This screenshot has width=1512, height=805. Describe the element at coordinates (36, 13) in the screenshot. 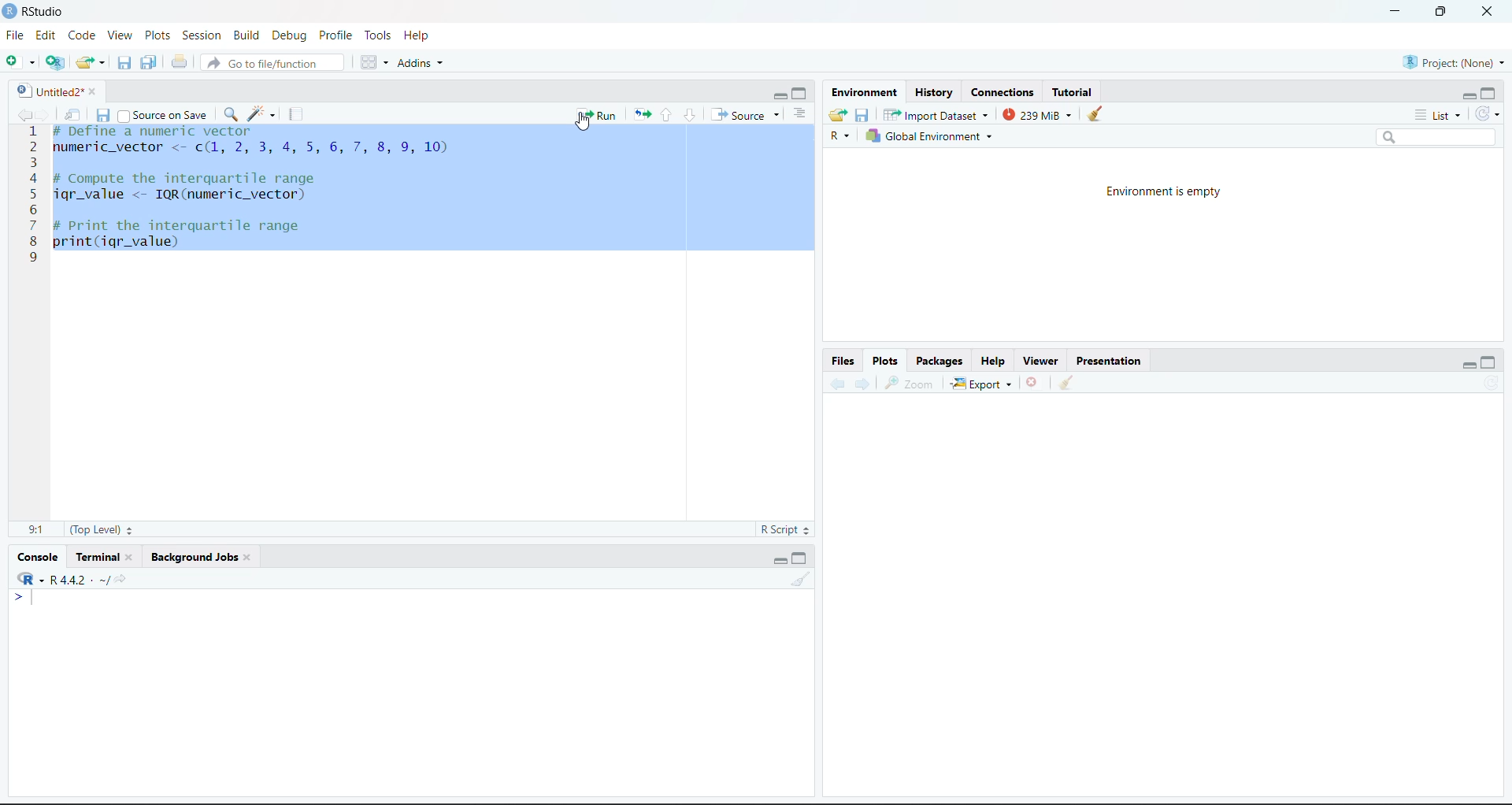

I see `RStudio` at that location.